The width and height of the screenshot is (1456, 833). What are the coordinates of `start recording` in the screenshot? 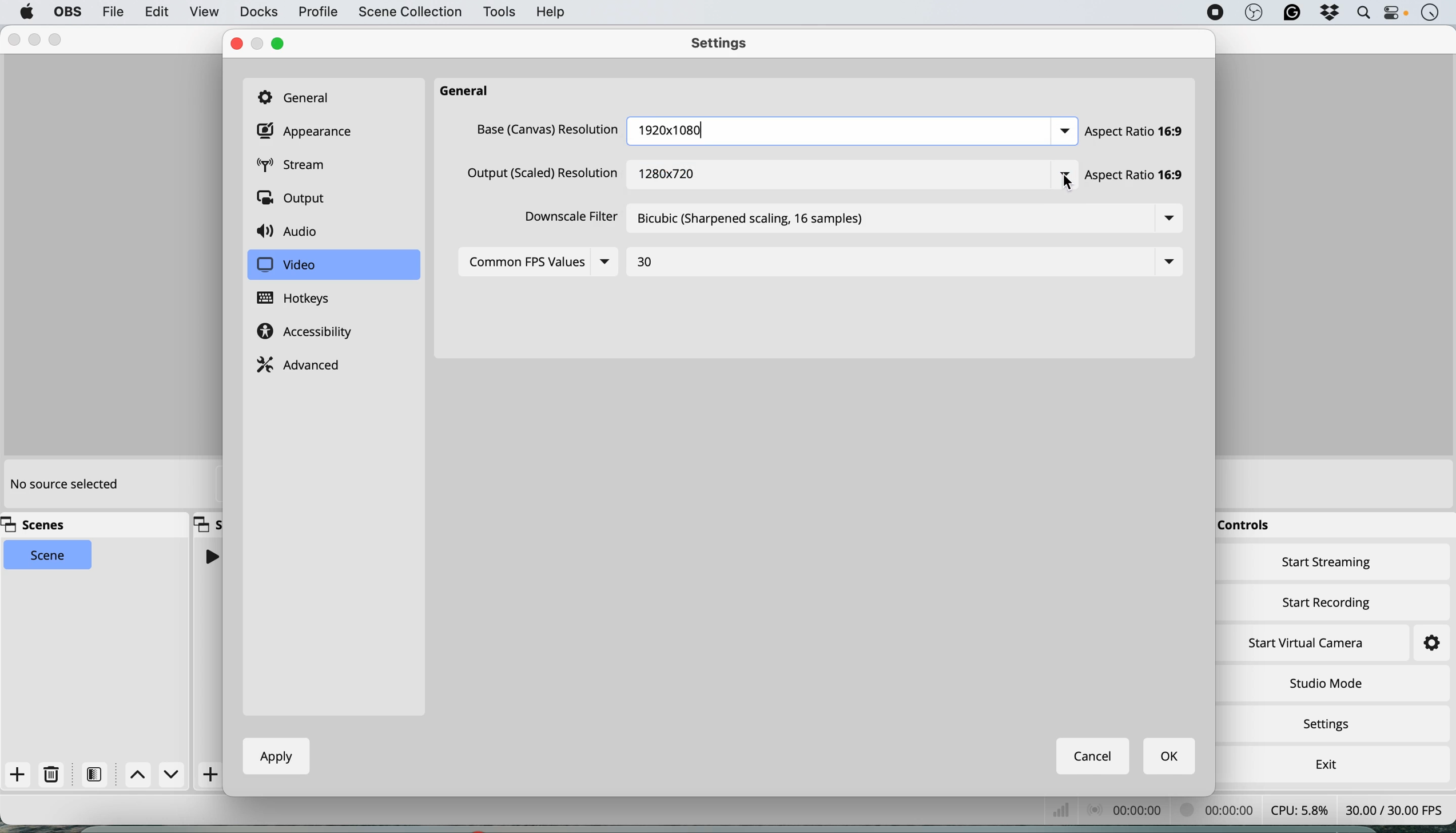 It's located at (1327, 600).